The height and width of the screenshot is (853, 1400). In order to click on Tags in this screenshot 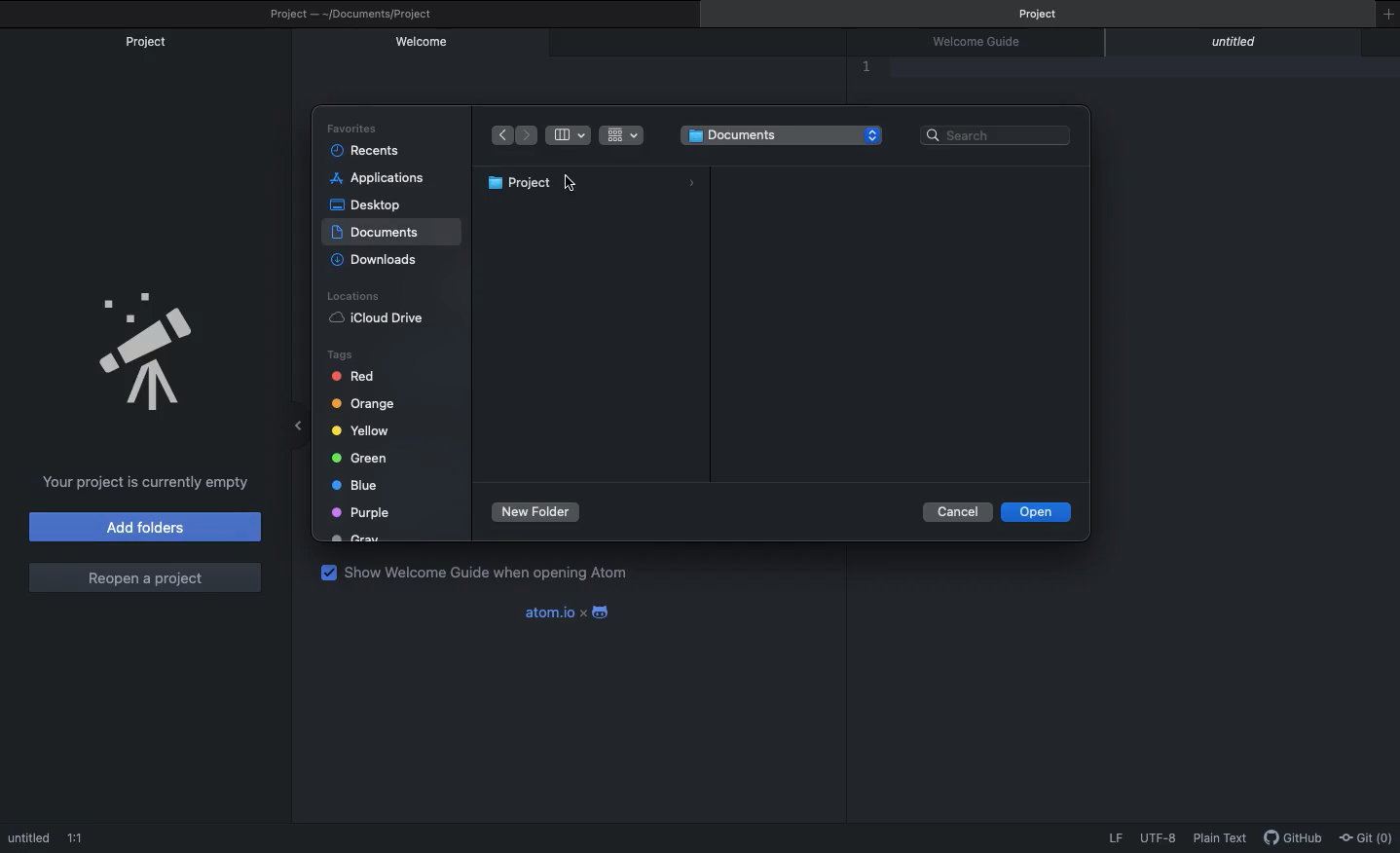, I will do `click(373, 443)`.